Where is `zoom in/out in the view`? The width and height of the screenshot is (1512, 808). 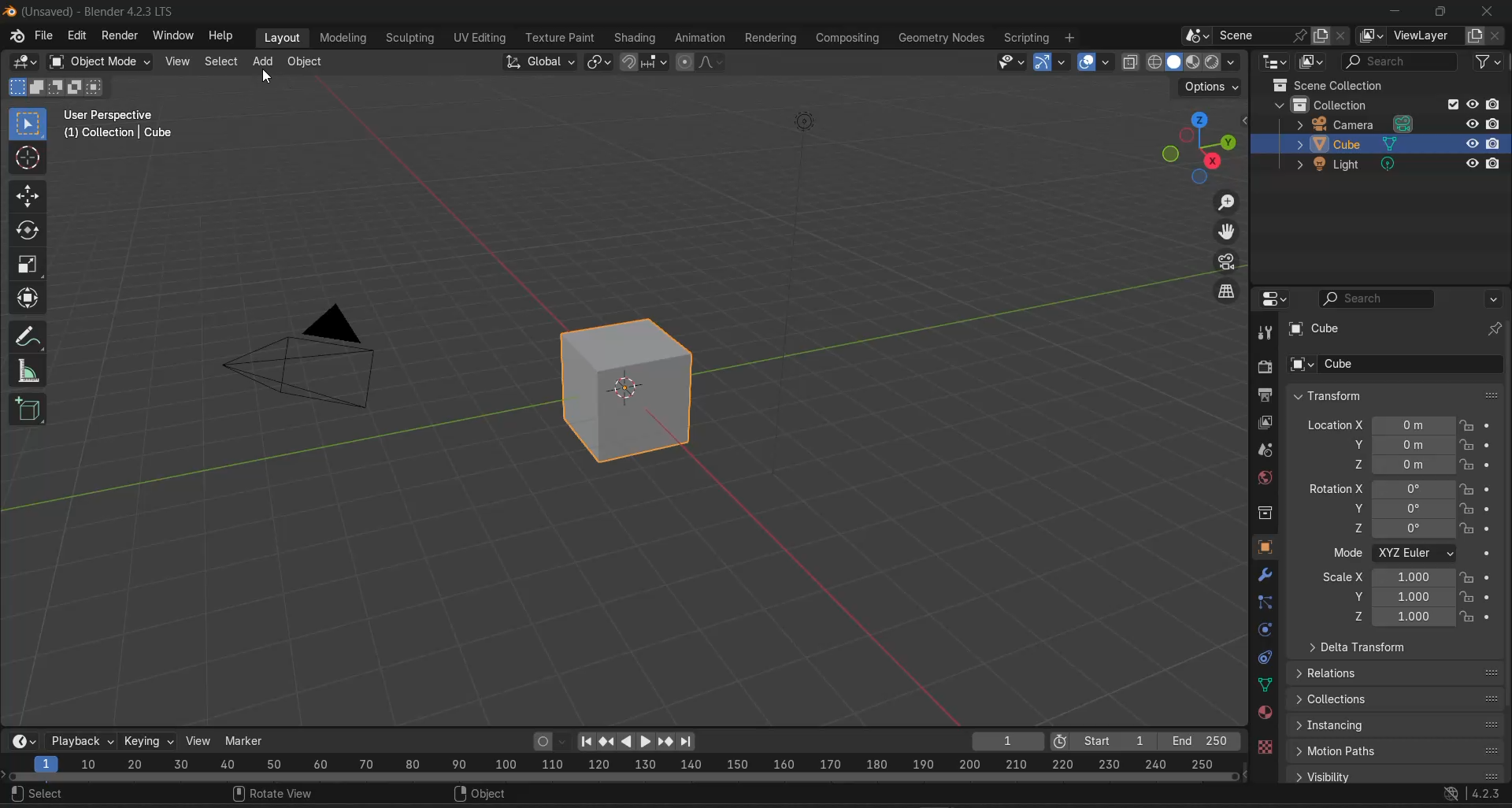
zoom in/out in the view is located at coordinates (1228, 202).